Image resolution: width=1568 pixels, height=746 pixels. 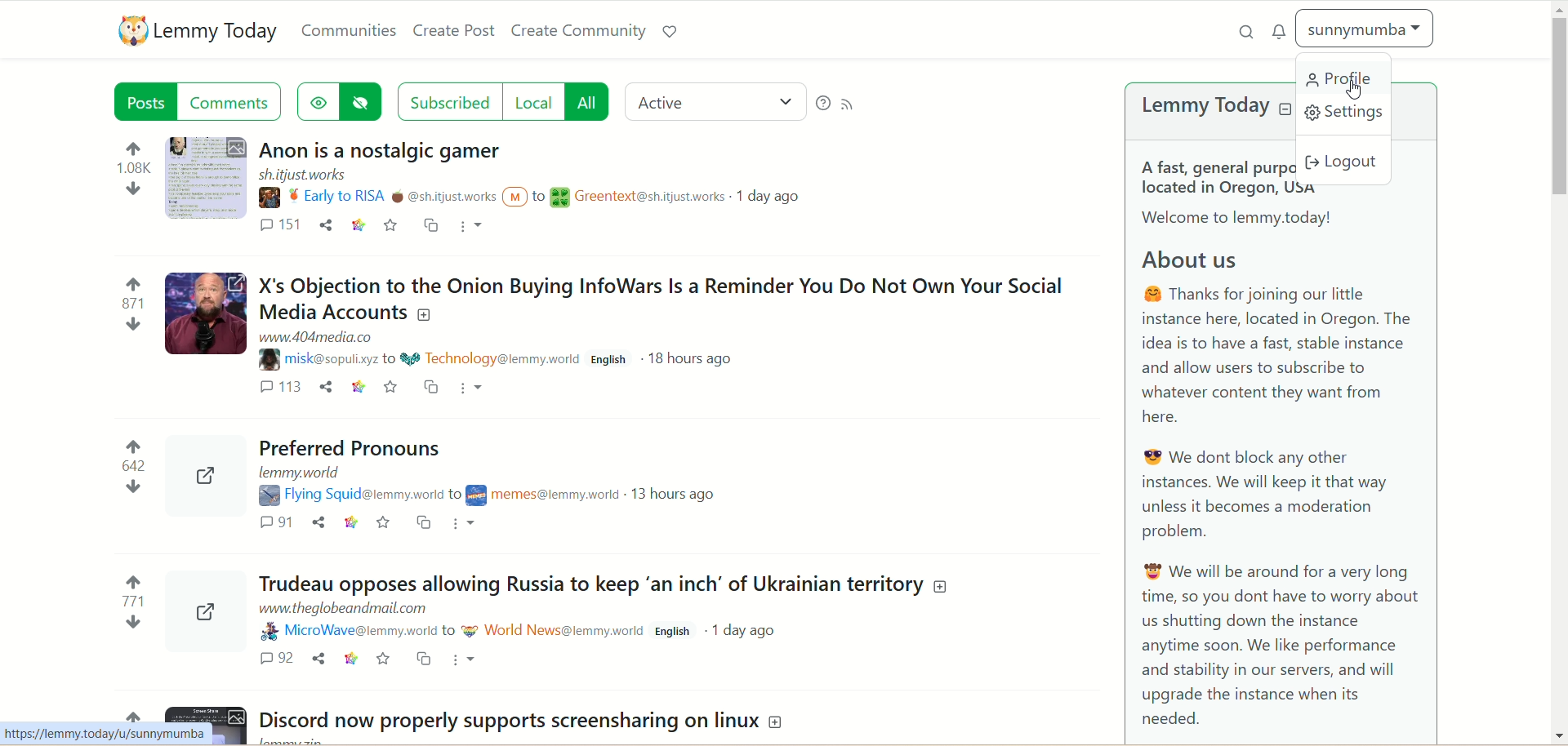 I want to click on A brief about Lemmy Today , so click(x=1291, y=464).